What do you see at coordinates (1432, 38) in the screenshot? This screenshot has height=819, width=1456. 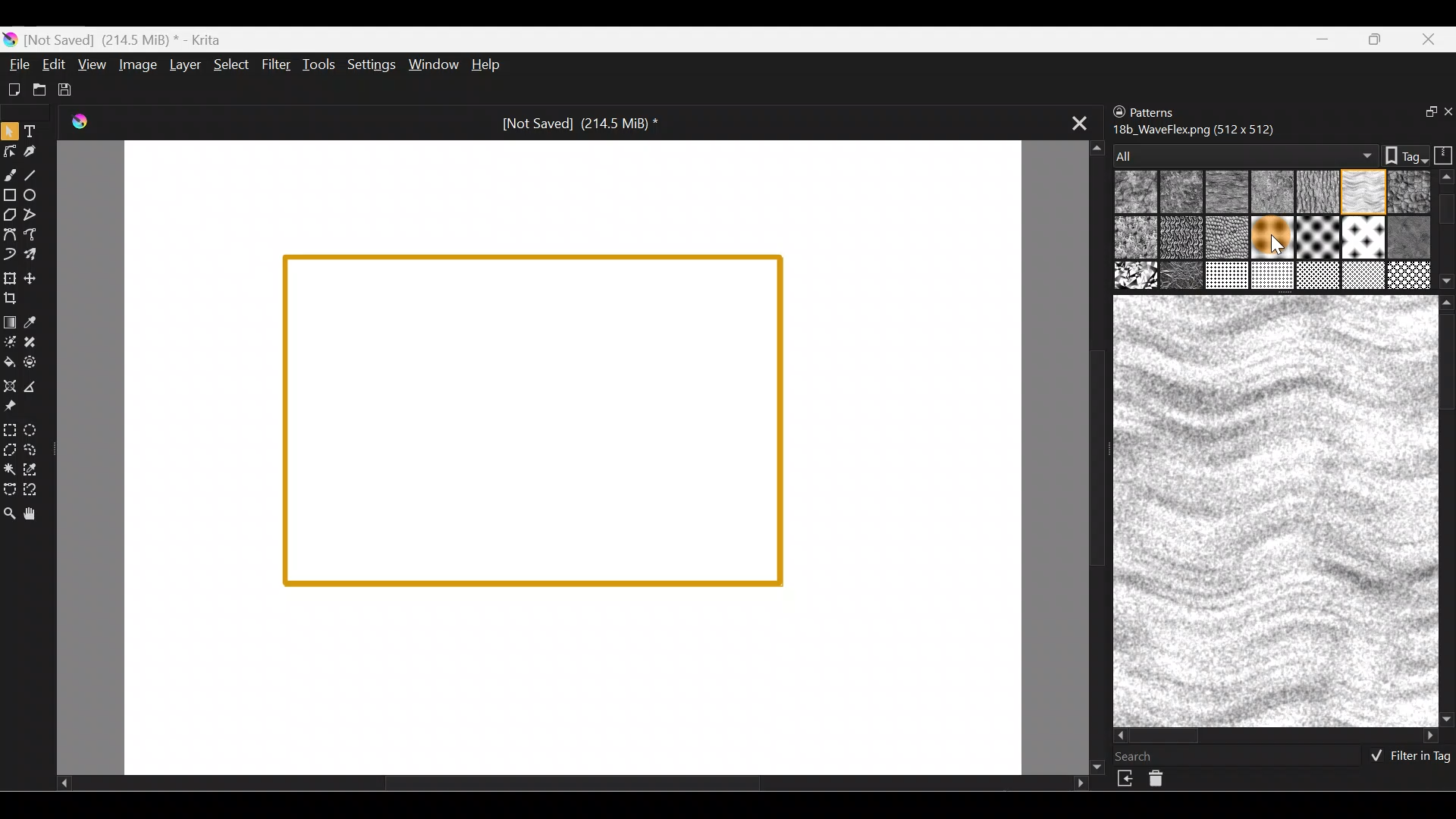 I see `Close` at bounding box center [1432, 38].